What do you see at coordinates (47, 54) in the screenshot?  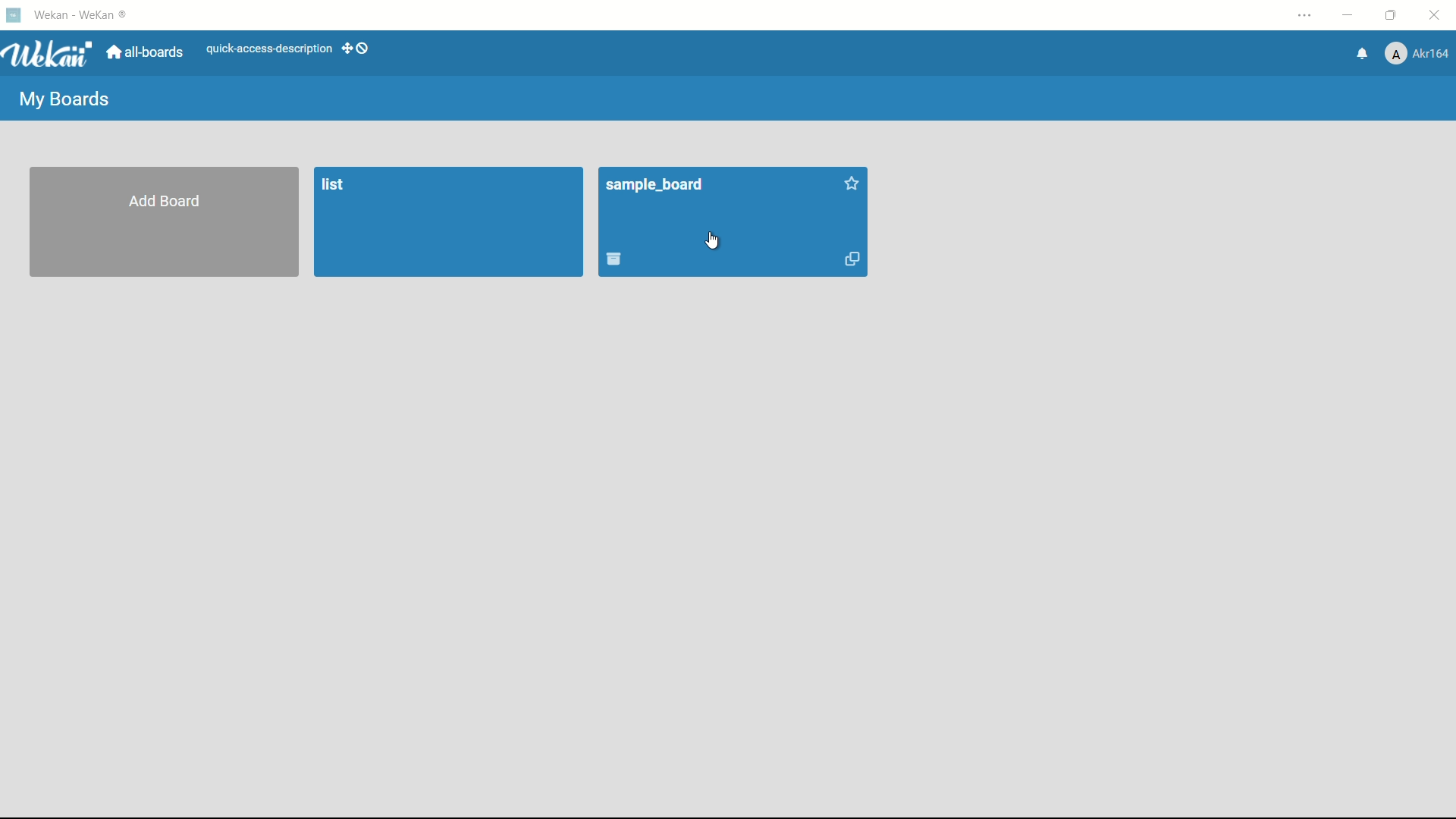 I see `Wekan logo` at bounding box center [47, 54].